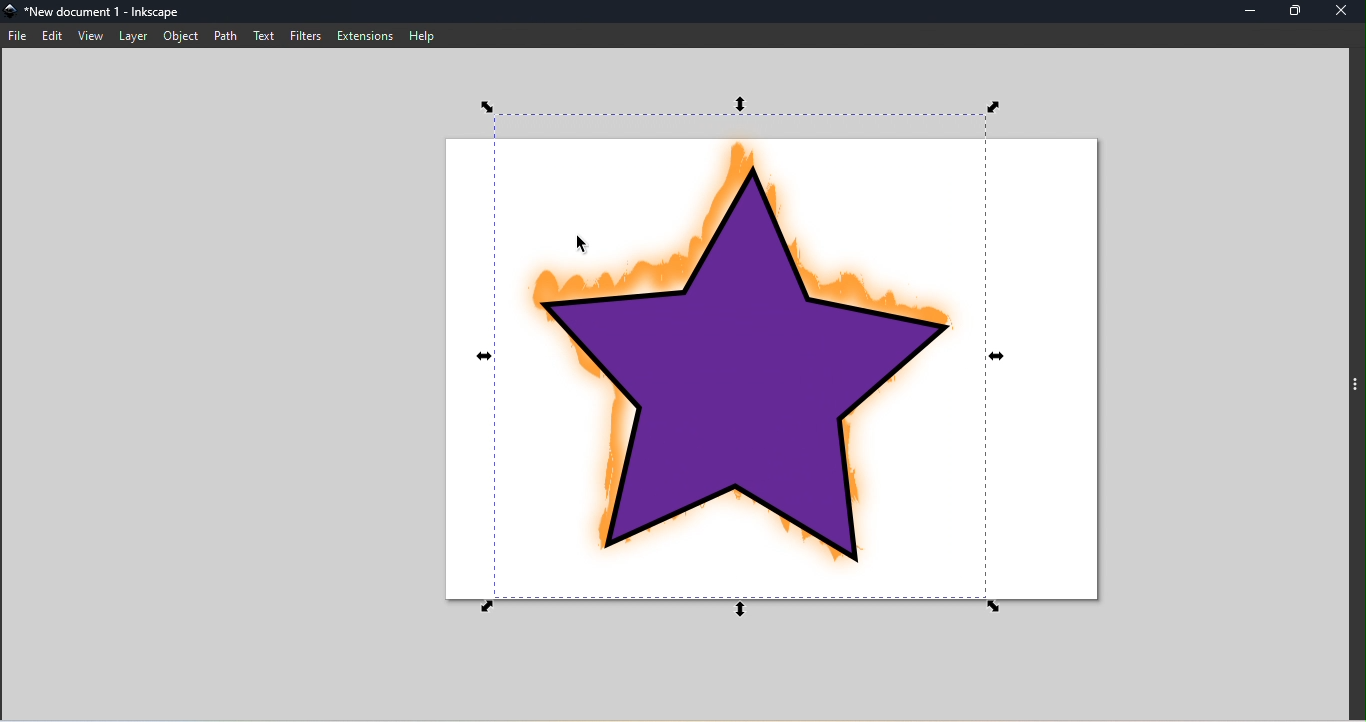 The image size is (1366, 722). Describe the element at coordinates (763, 368) in the screenshot. I see `Canvas with object star` at that location.